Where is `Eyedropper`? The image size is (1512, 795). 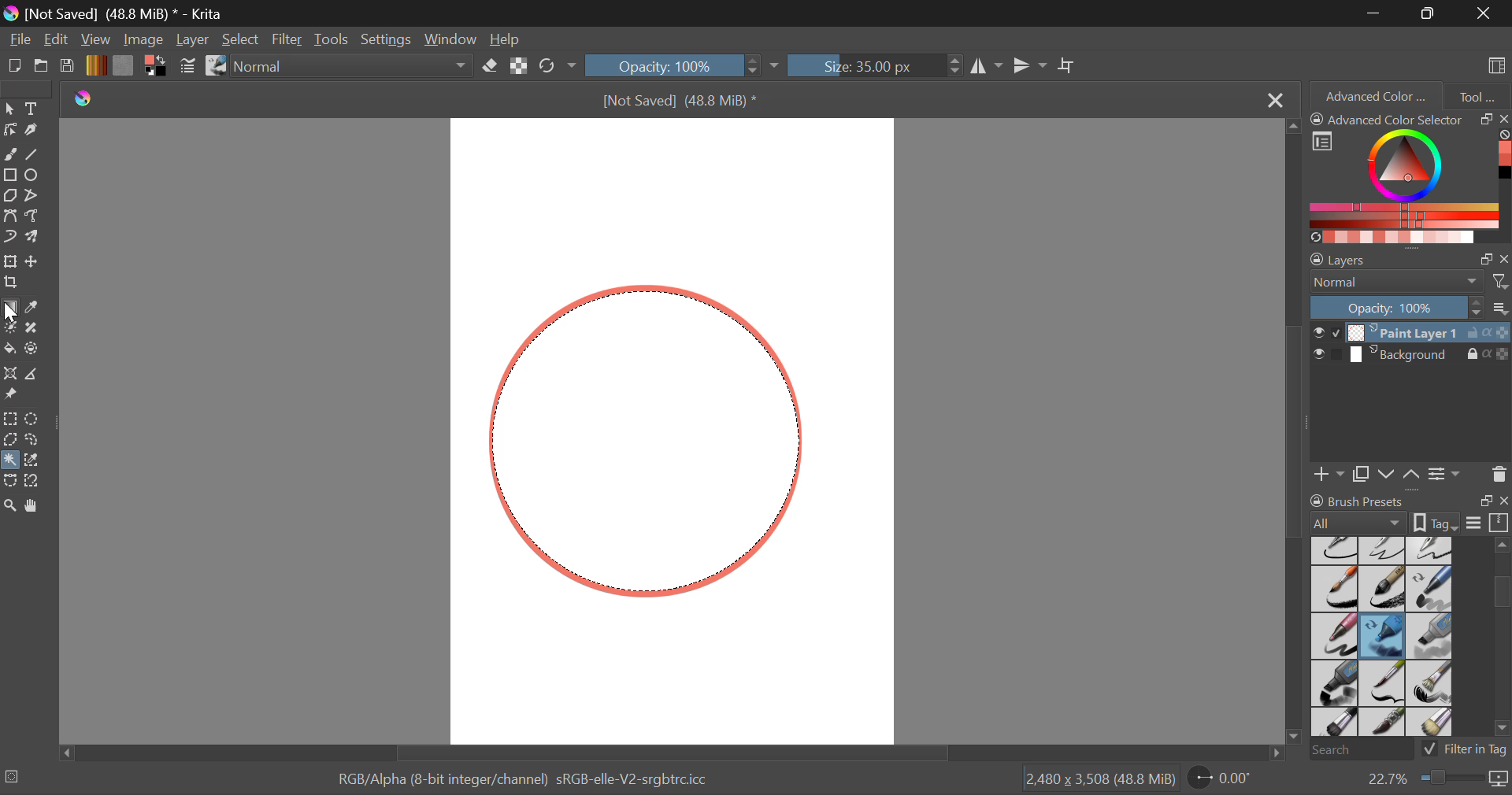 Eyedropper is located at coordinates (36, 308).